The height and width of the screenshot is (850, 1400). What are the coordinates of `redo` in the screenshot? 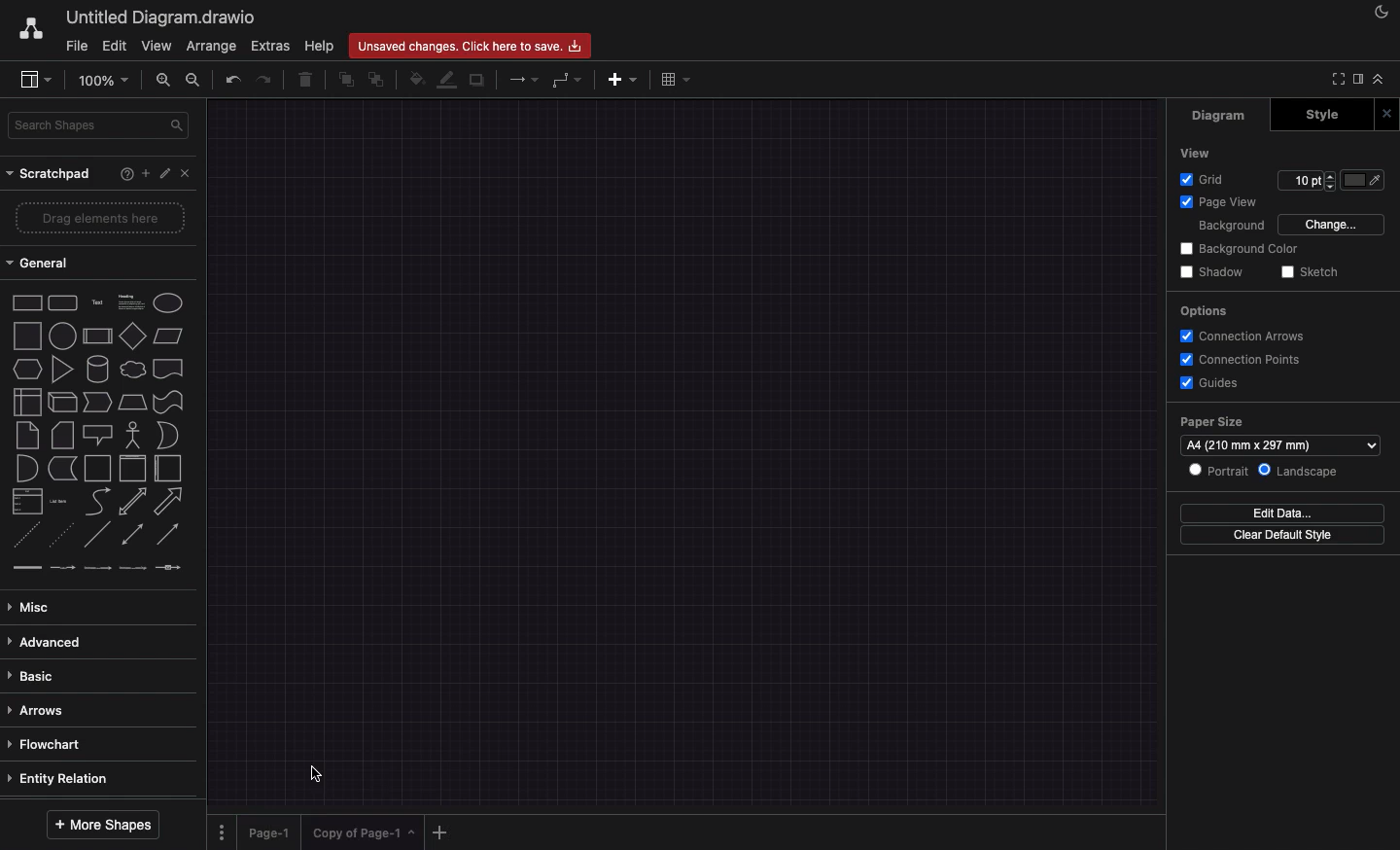 It's located at (263, 81).